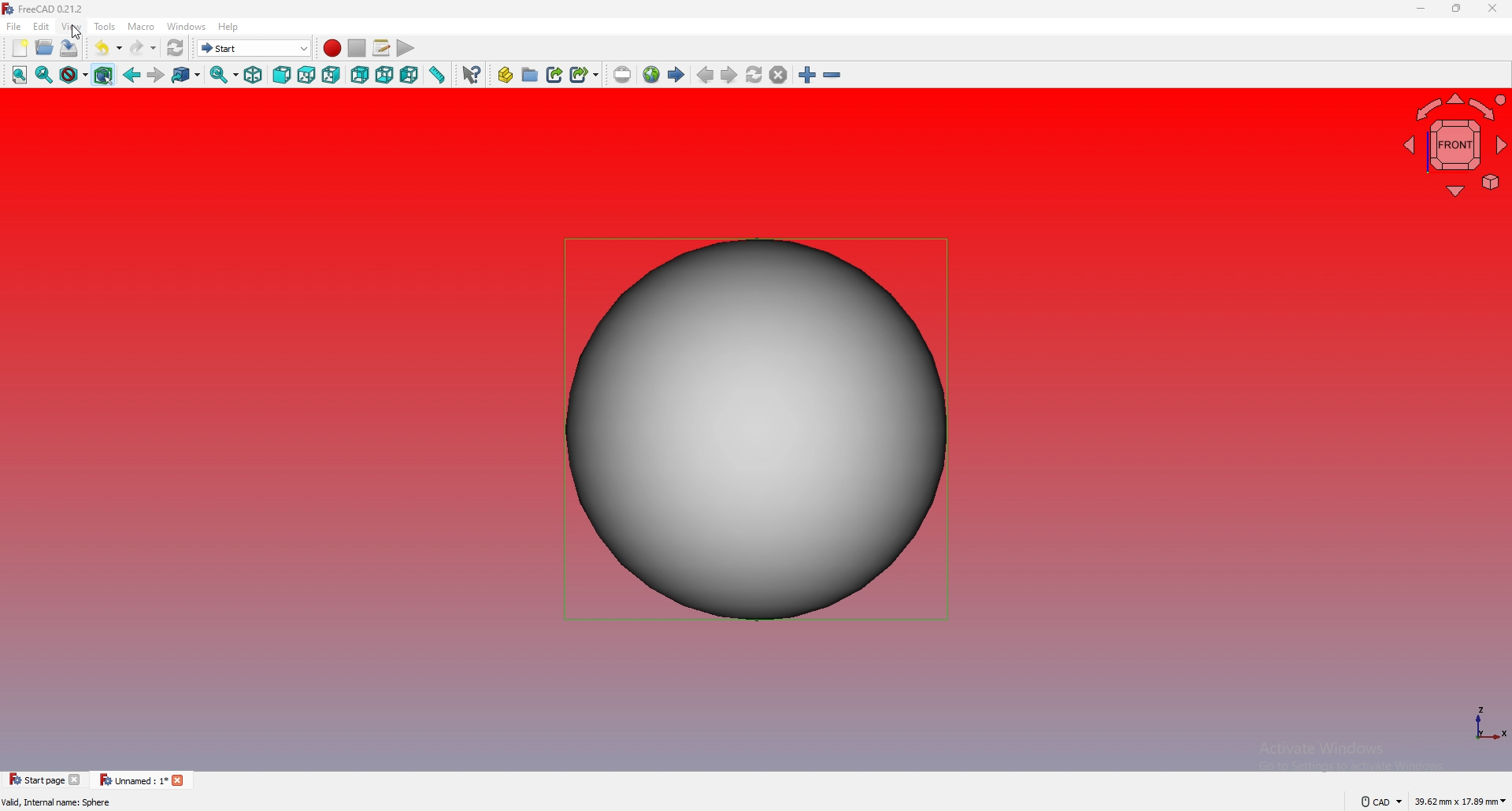  I want to click on close, so click(1493, 7).